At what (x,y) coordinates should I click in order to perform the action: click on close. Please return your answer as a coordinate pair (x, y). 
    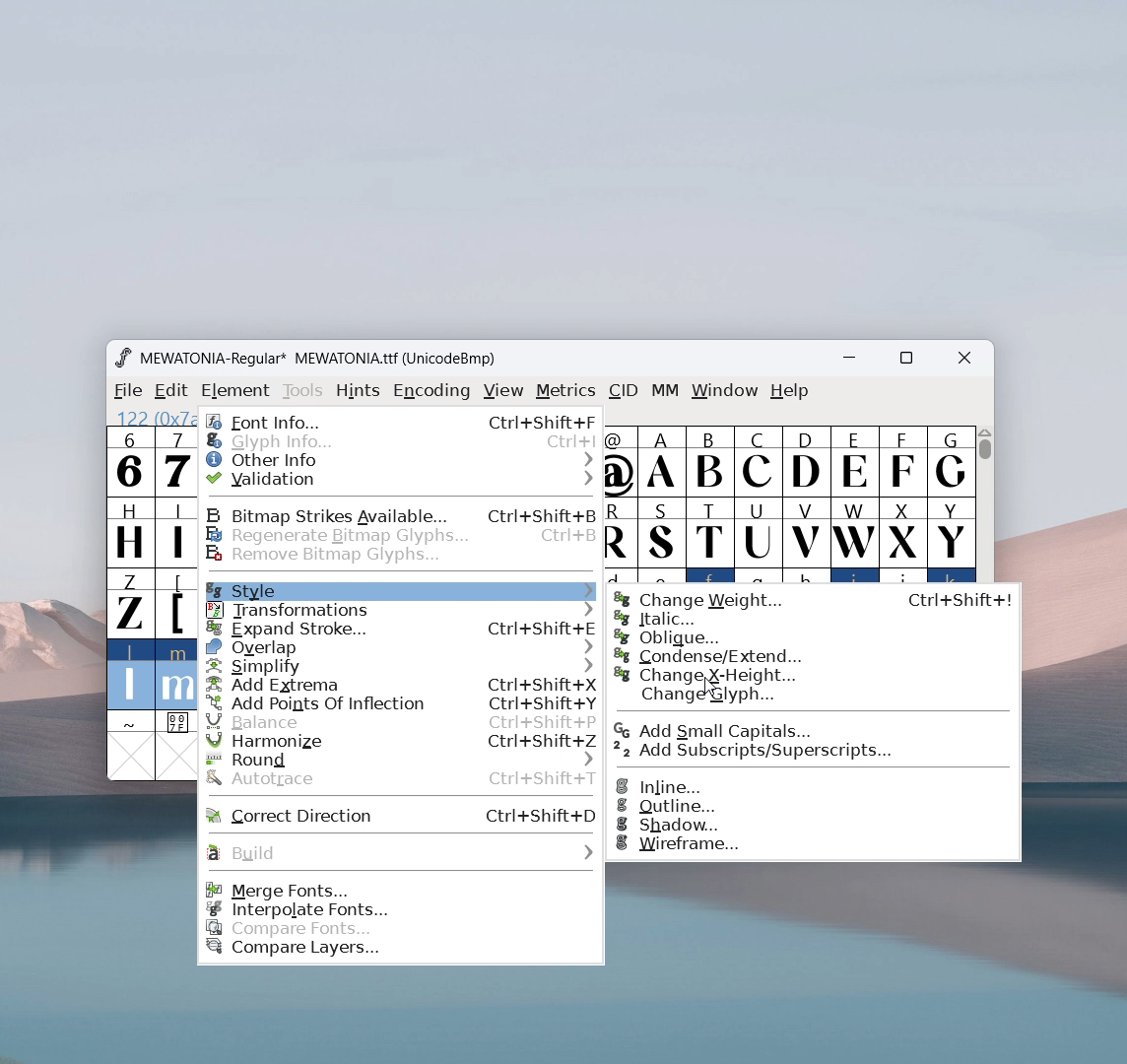
    Looking at the image, I should click on (964, 359).